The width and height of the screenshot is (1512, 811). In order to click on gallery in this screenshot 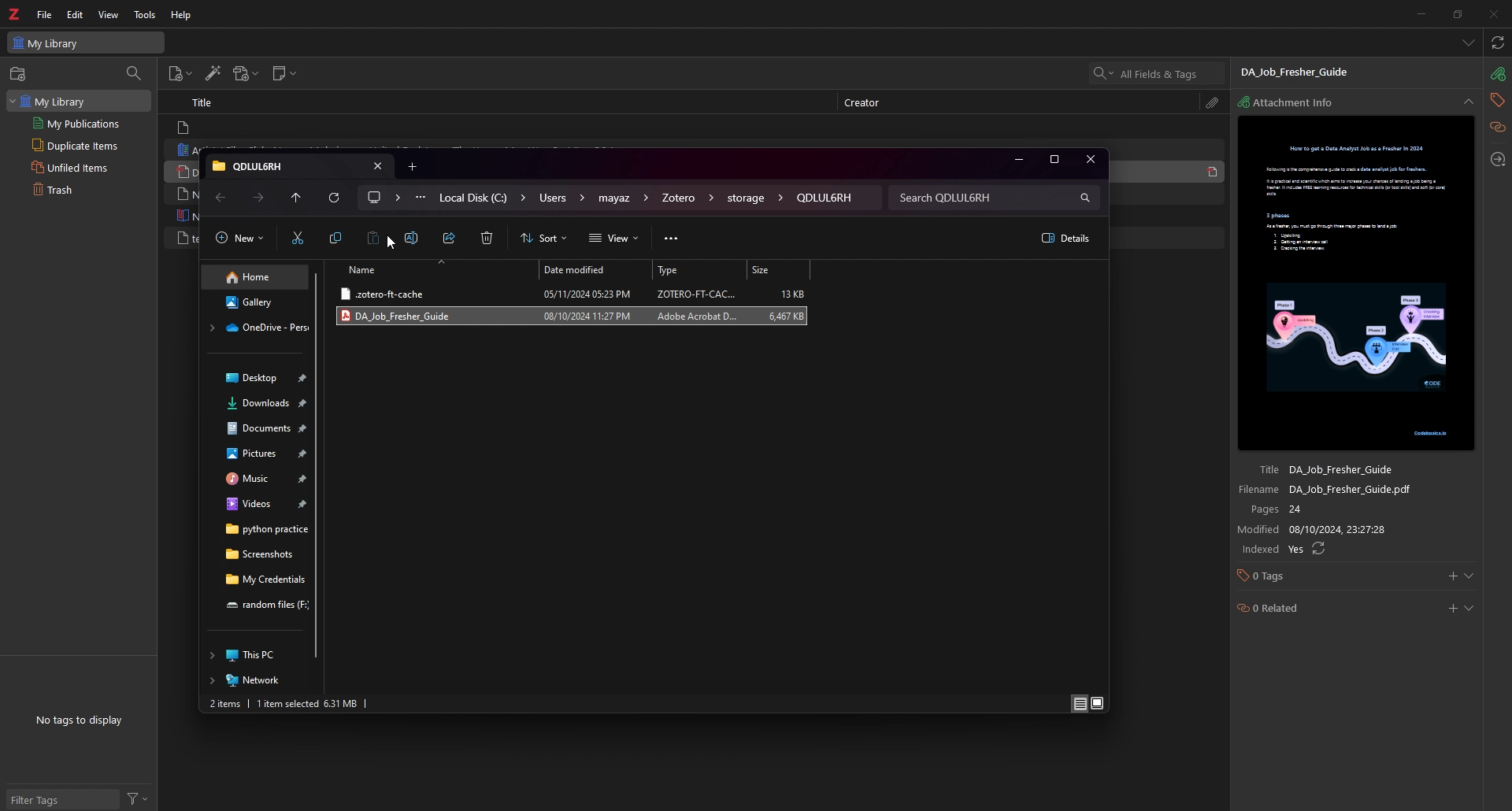, I will do `click(256, 302)`.